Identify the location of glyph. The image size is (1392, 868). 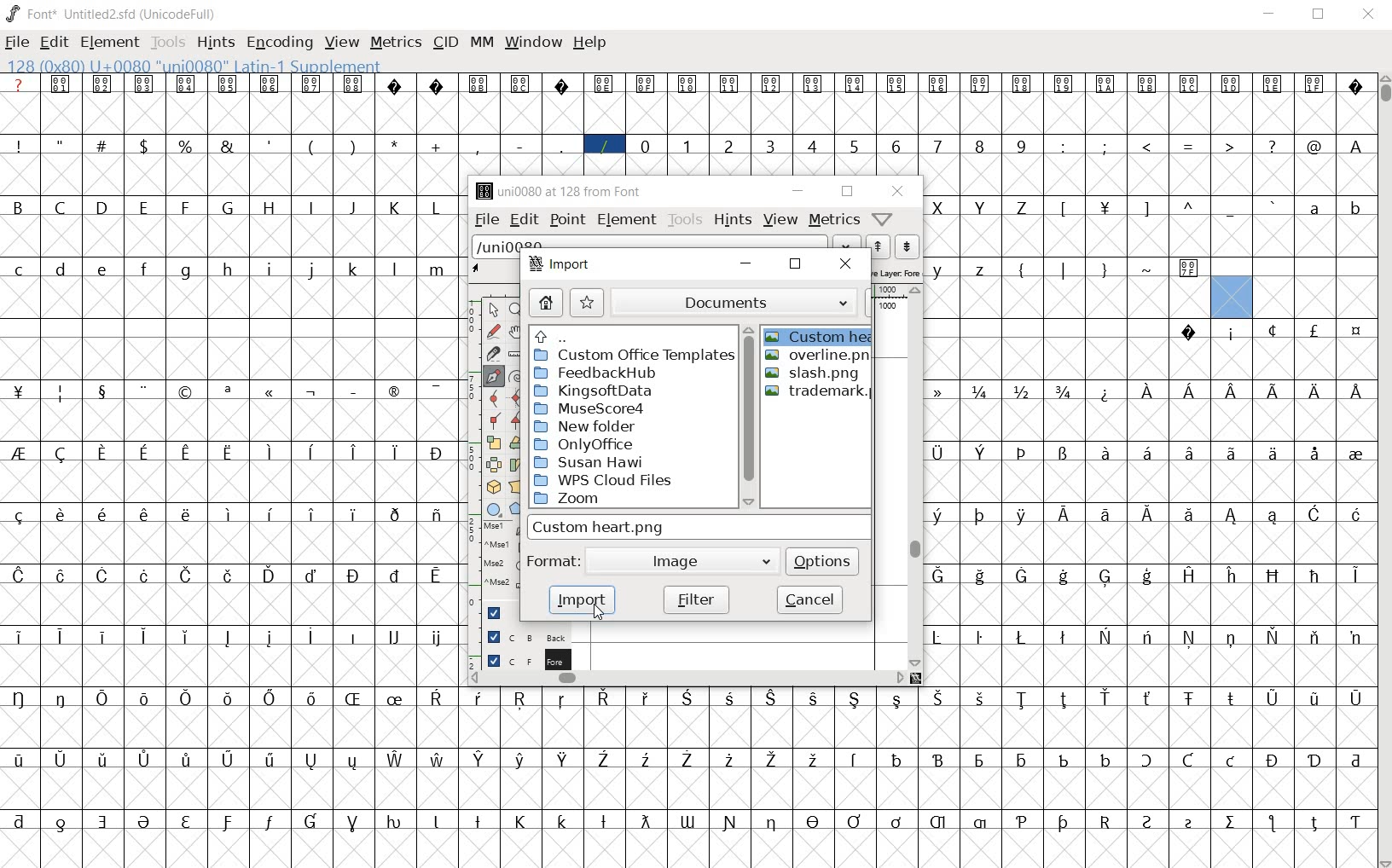
(1355, 699).